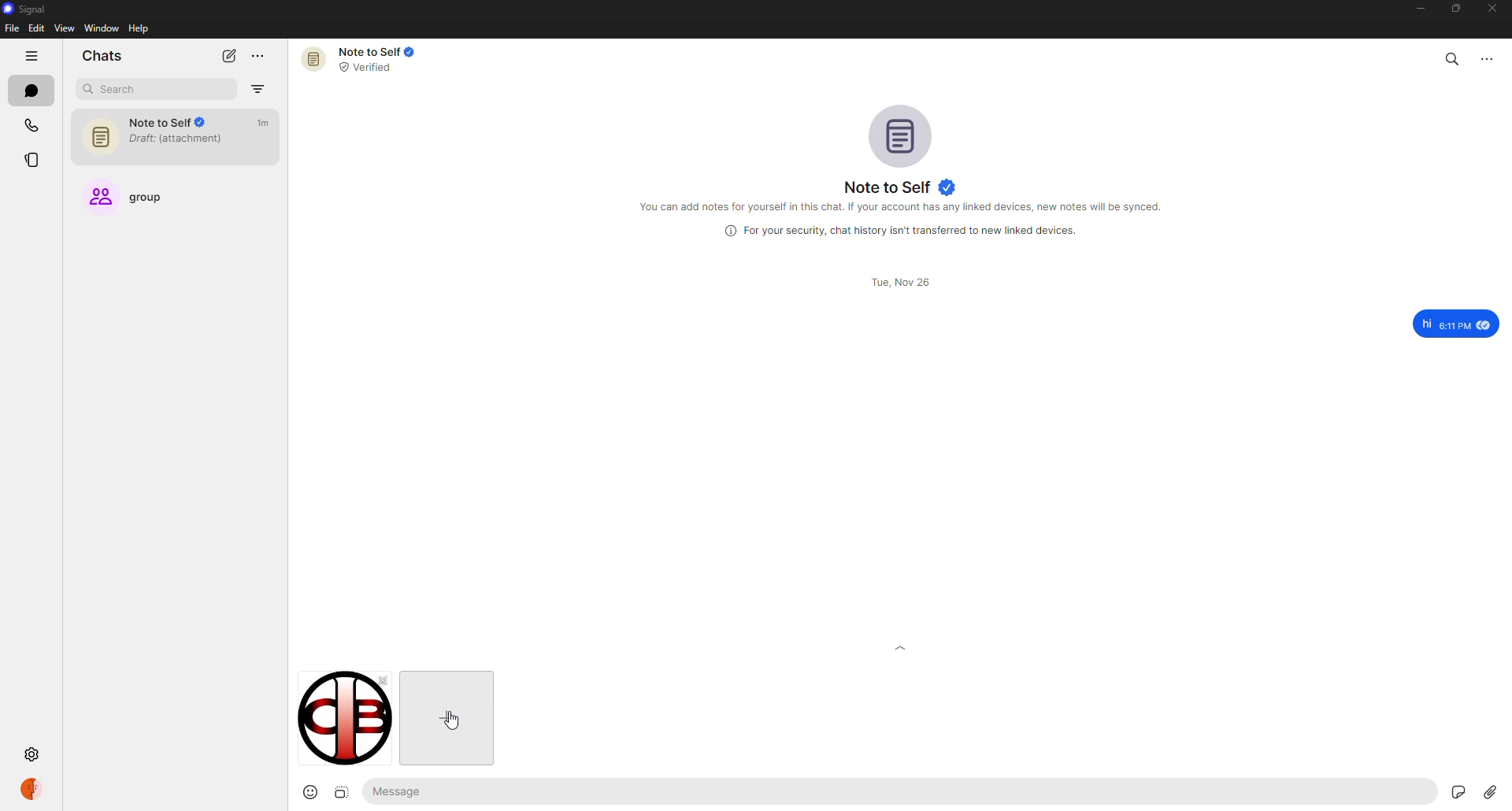 The image size is (1512, 811). Describe the element at coordinates (1495, 9) in the screenshot. I see `close` at that location.